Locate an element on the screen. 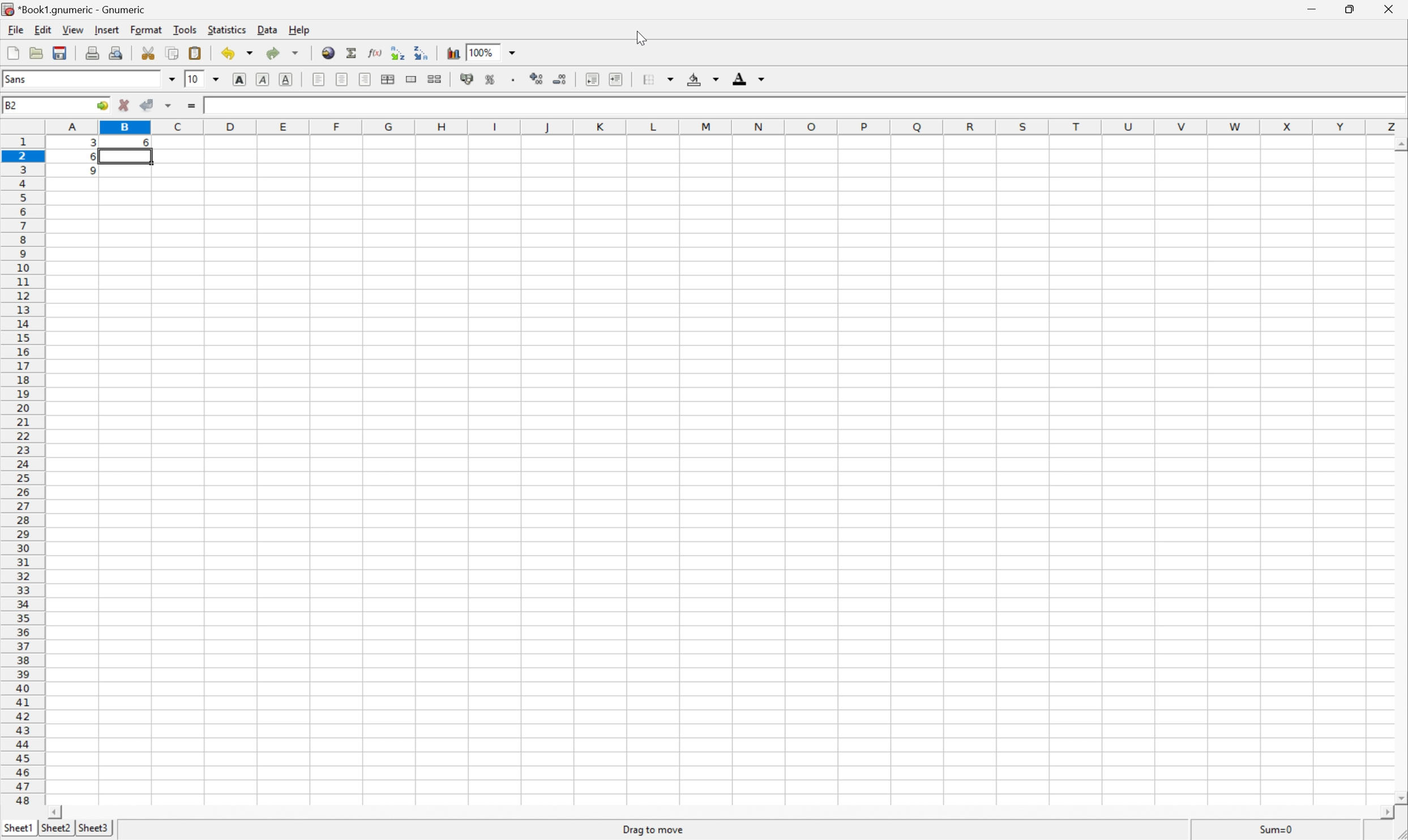  Drop Down is located at coordinates (515, 52).